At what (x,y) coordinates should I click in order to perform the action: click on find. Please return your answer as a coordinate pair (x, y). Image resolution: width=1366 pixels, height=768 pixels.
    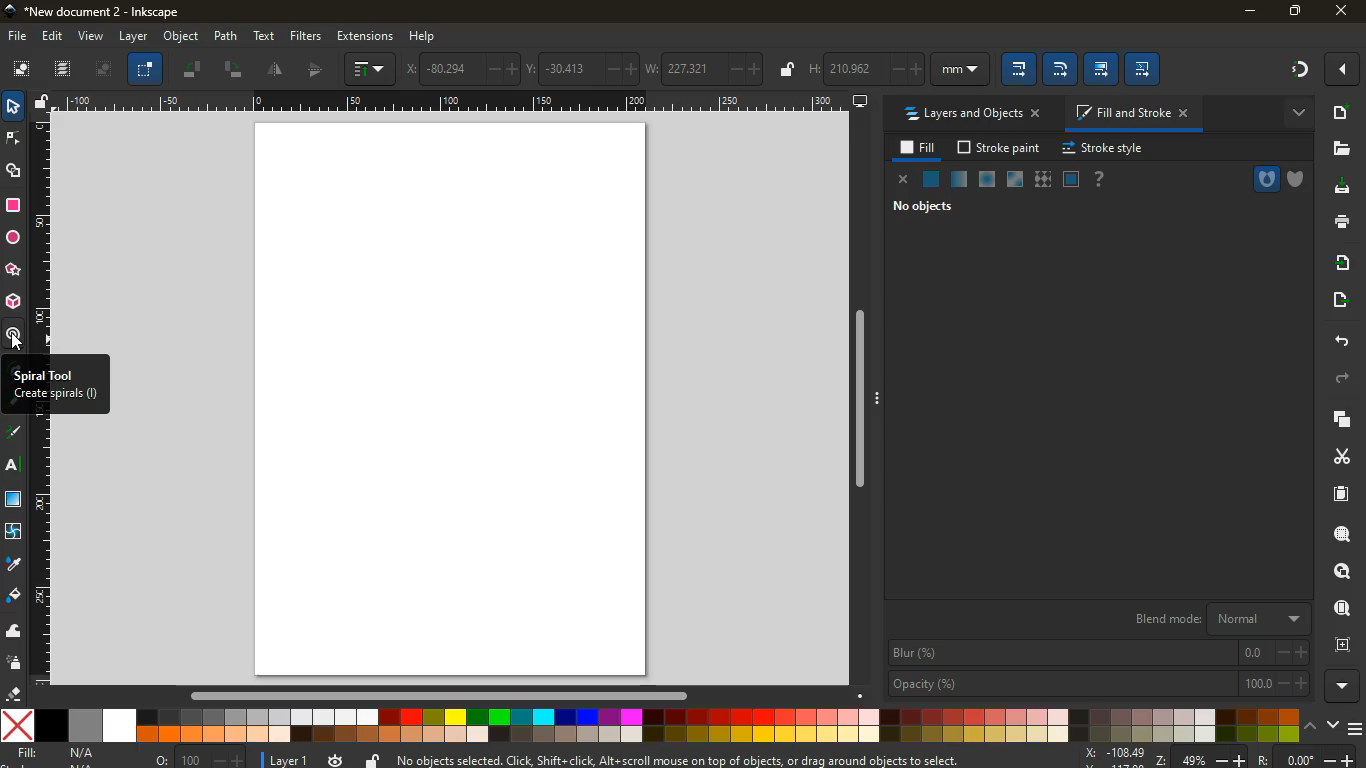
    Looking at the image, I should click on (1339, 608).